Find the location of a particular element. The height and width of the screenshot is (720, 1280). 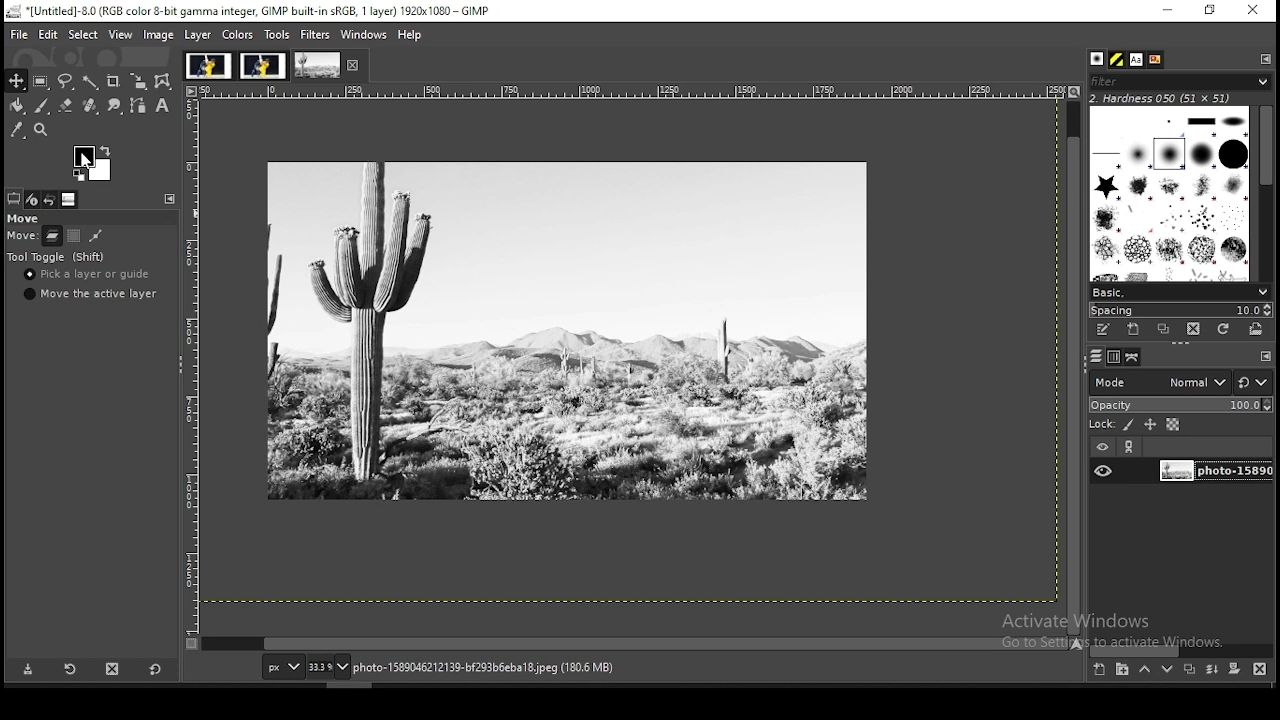

scroll bar is located at coordinates (1074, 366).